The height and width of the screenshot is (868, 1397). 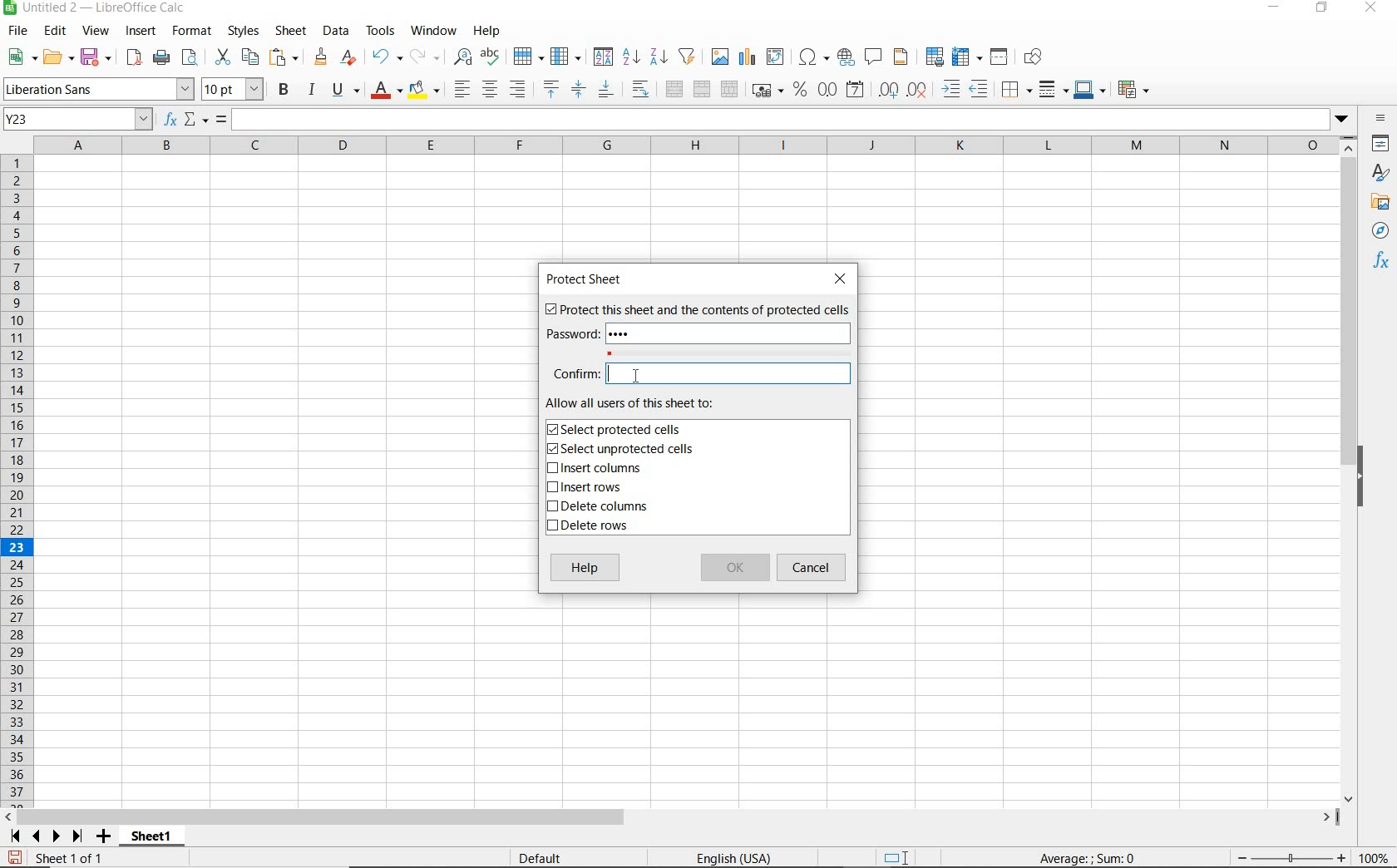 I want to click on MERGE CELLS, so click(x=702, y=90).